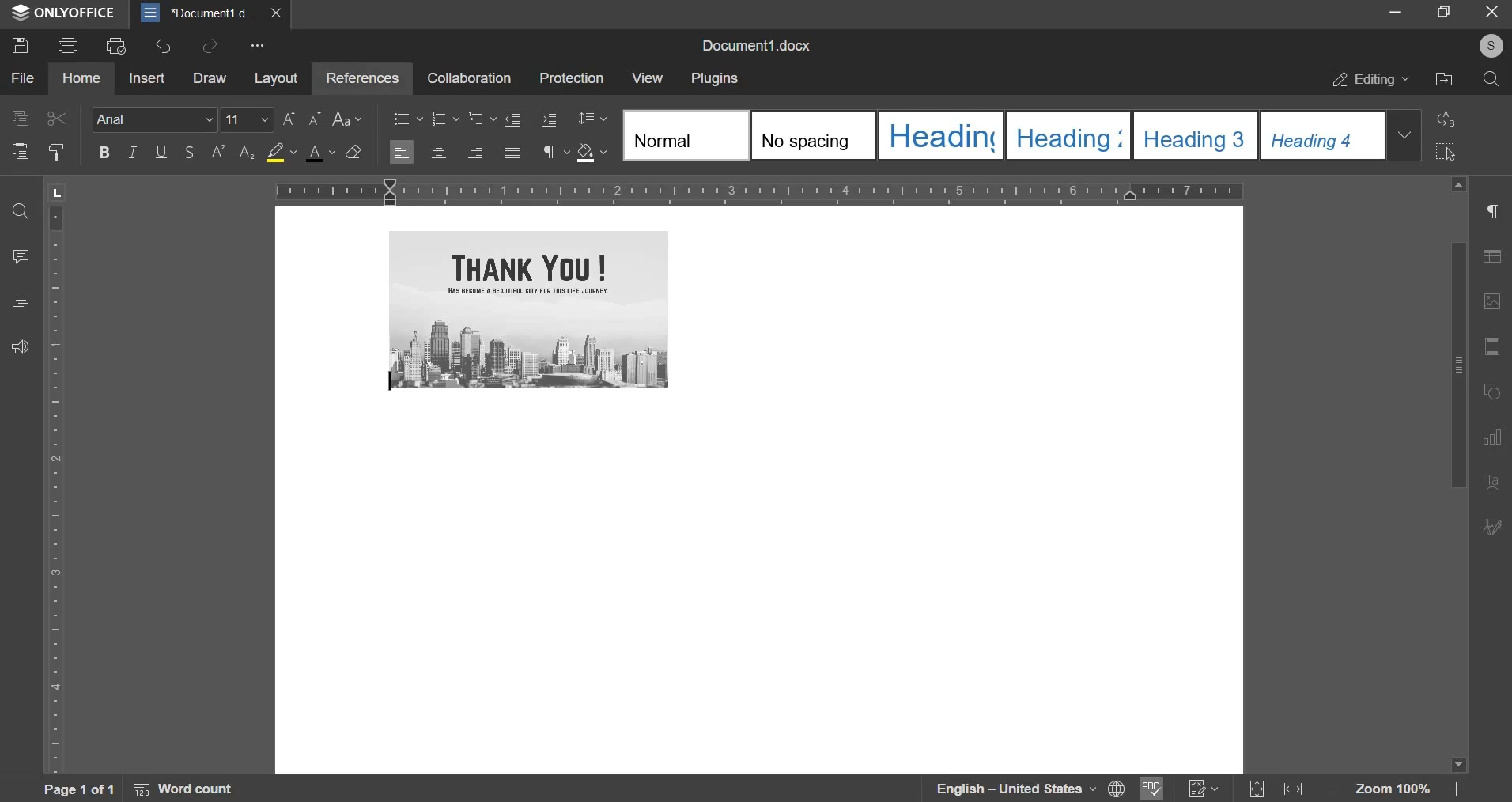 This screenshot has width=1512, height=802. I want to click on language, so click(1004, 789).